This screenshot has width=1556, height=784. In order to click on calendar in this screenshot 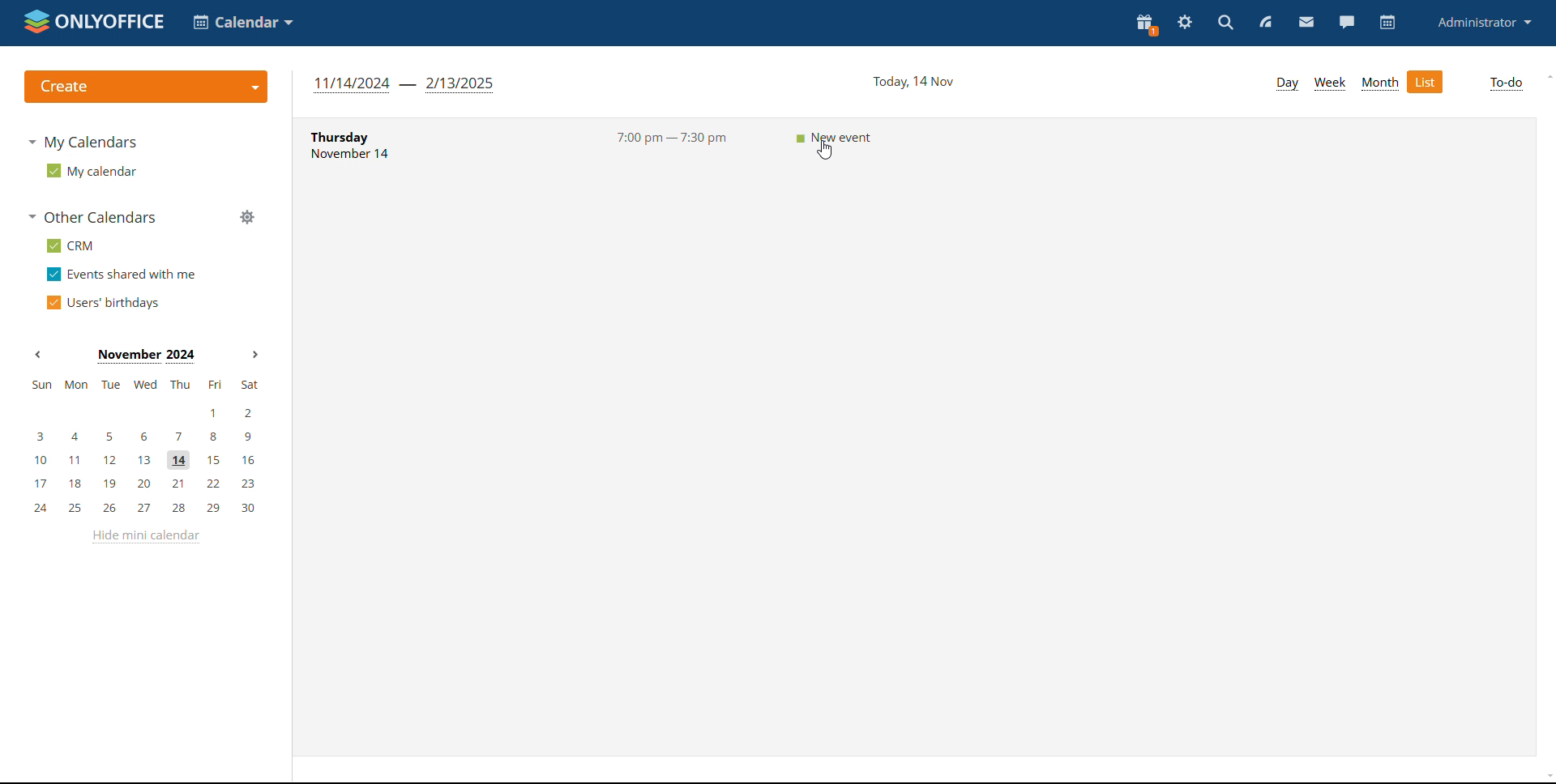, I will do `click(1387, 23)`.